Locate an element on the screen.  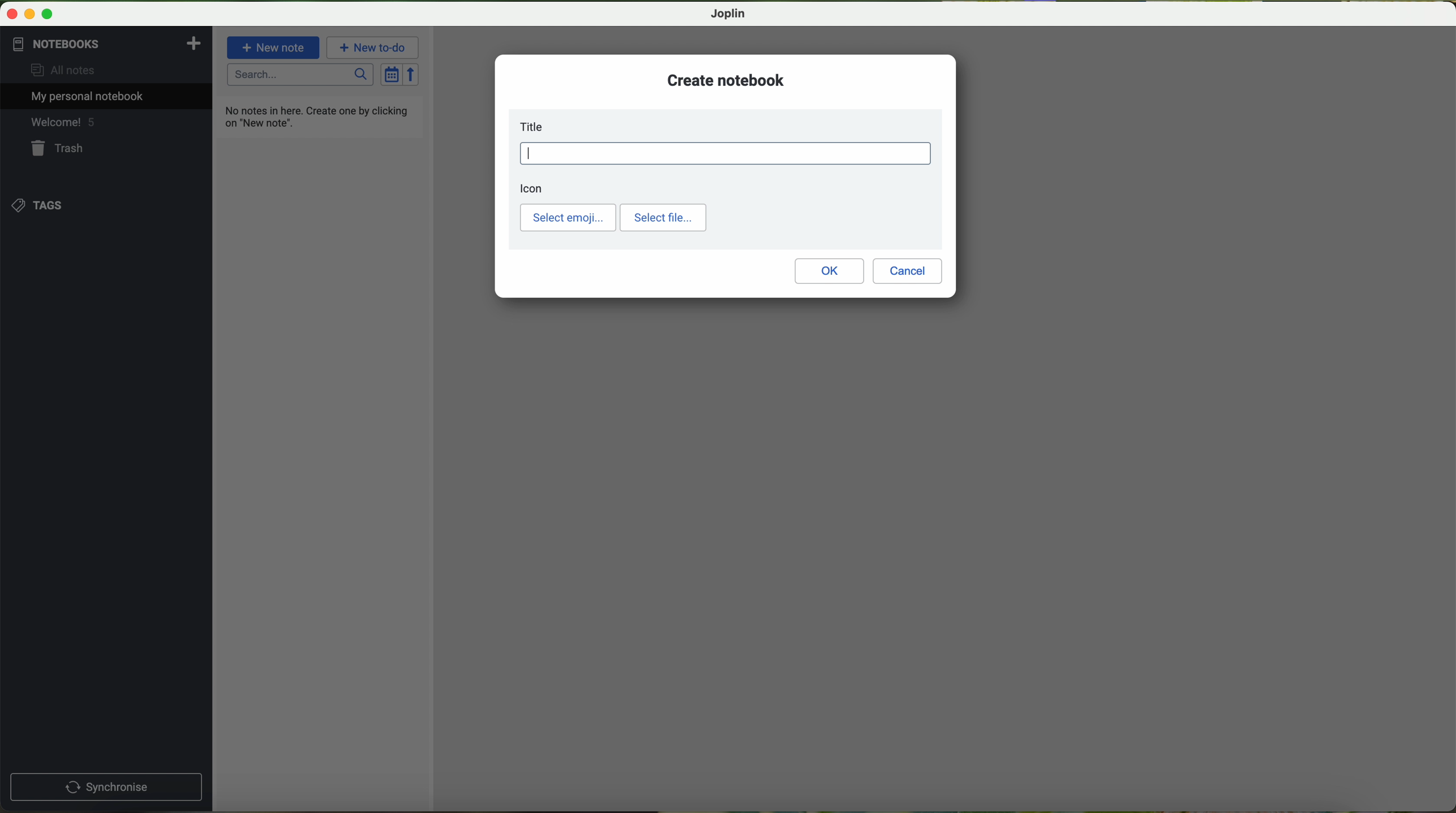
add notebooks is located at coordinates (192, 42).